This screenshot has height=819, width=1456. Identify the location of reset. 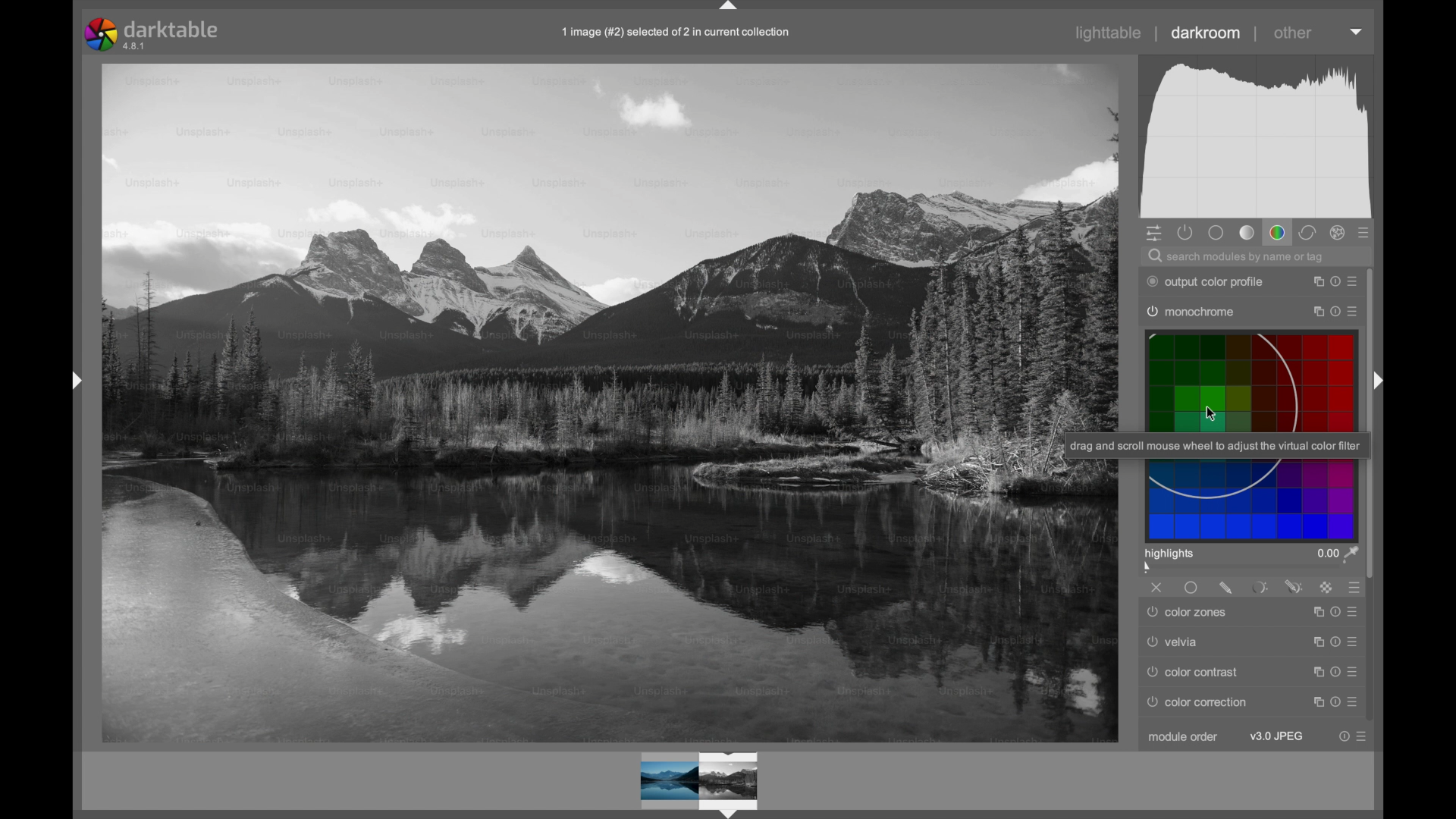
(1336, 642).